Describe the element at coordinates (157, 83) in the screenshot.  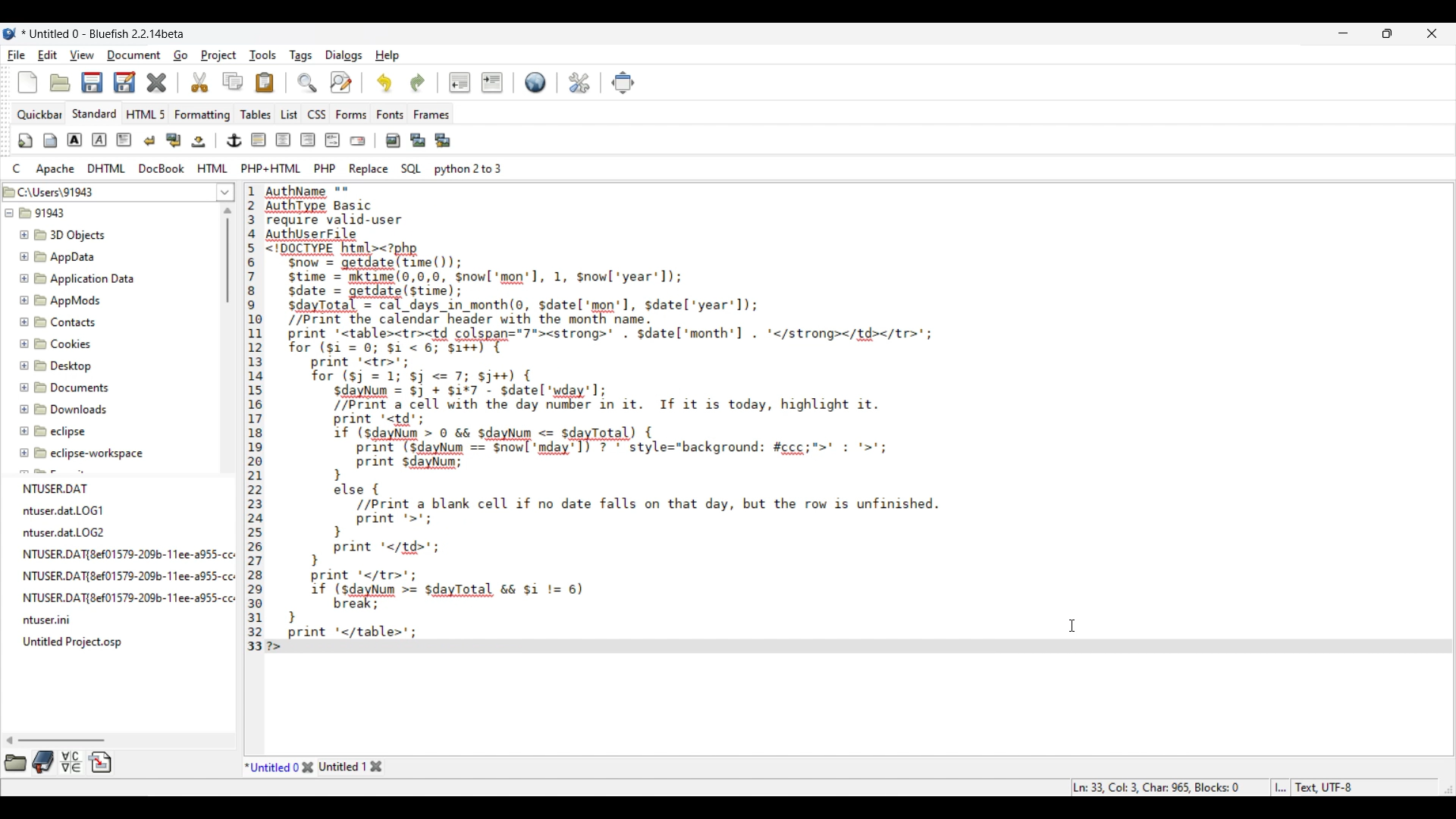
I see `Delete ` at that location.